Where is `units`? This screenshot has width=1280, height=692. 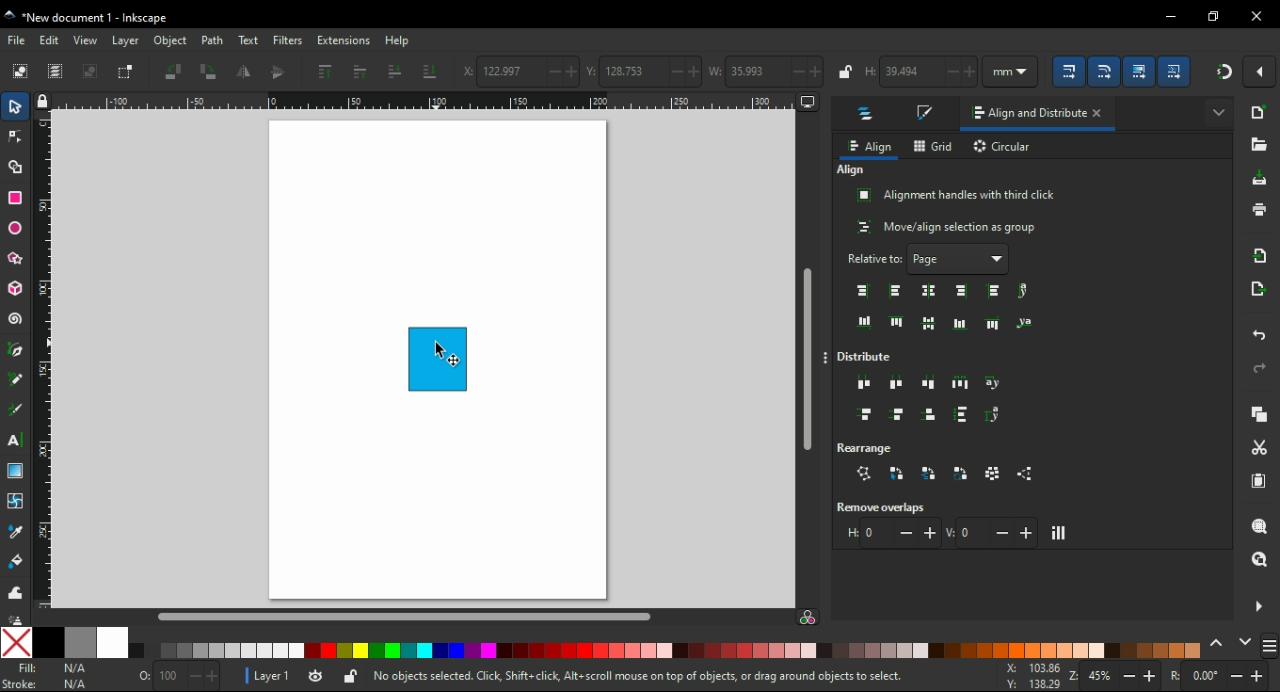 units is located at coordinates (1010, 71).